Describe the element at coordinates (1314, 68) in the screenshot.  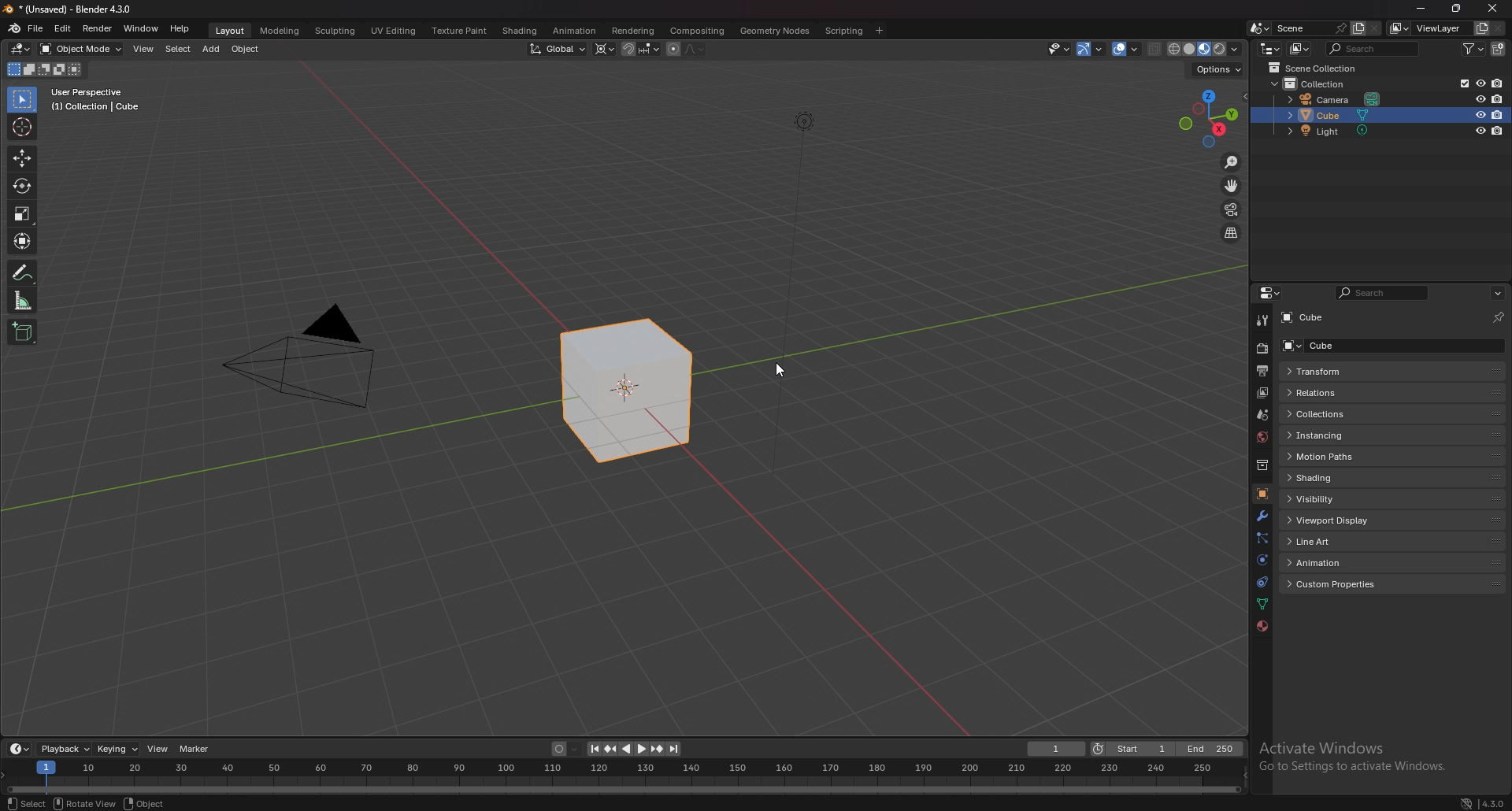
I see `scene collection` at that location.